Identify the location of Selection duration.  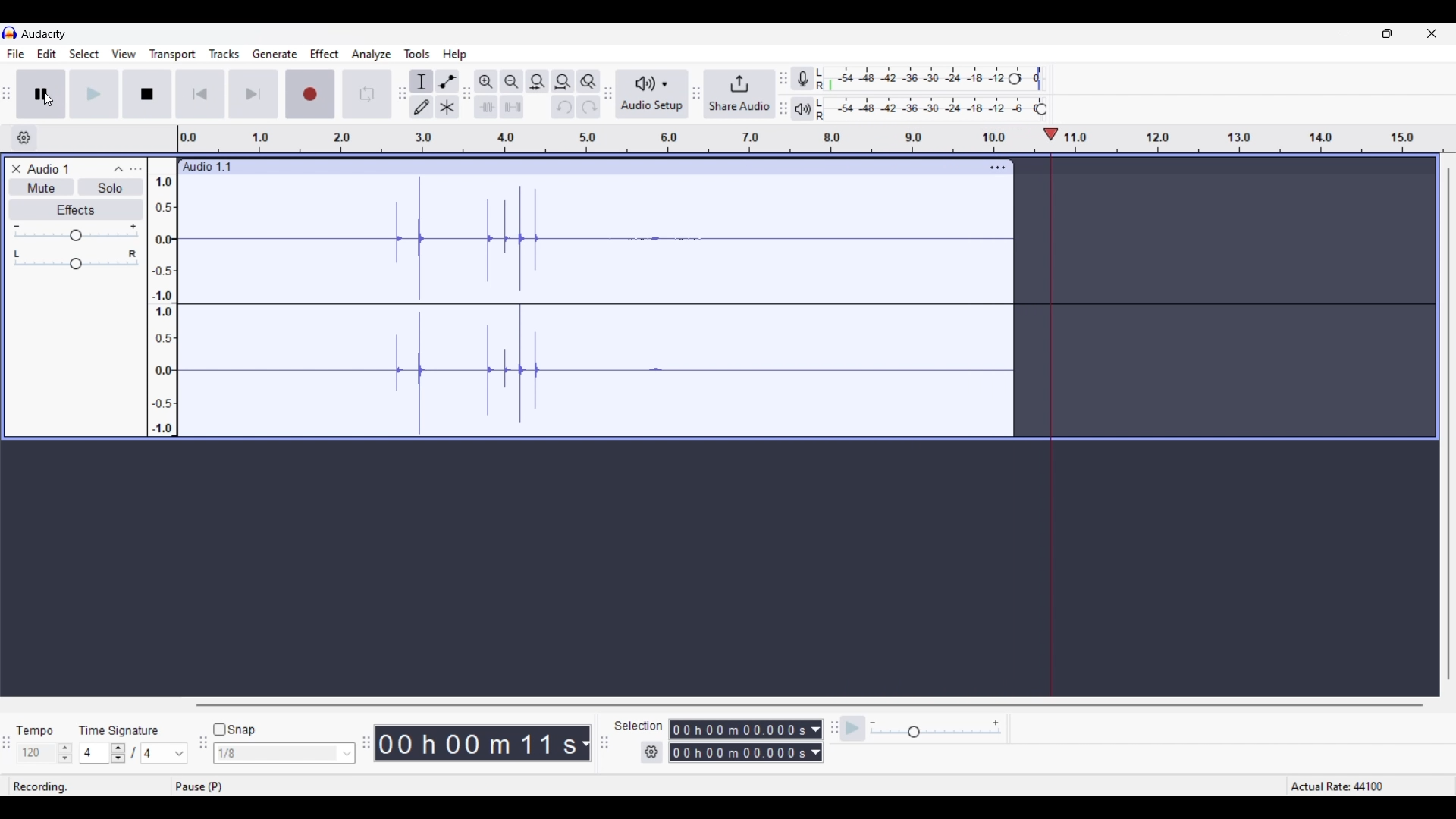
(739, 742).